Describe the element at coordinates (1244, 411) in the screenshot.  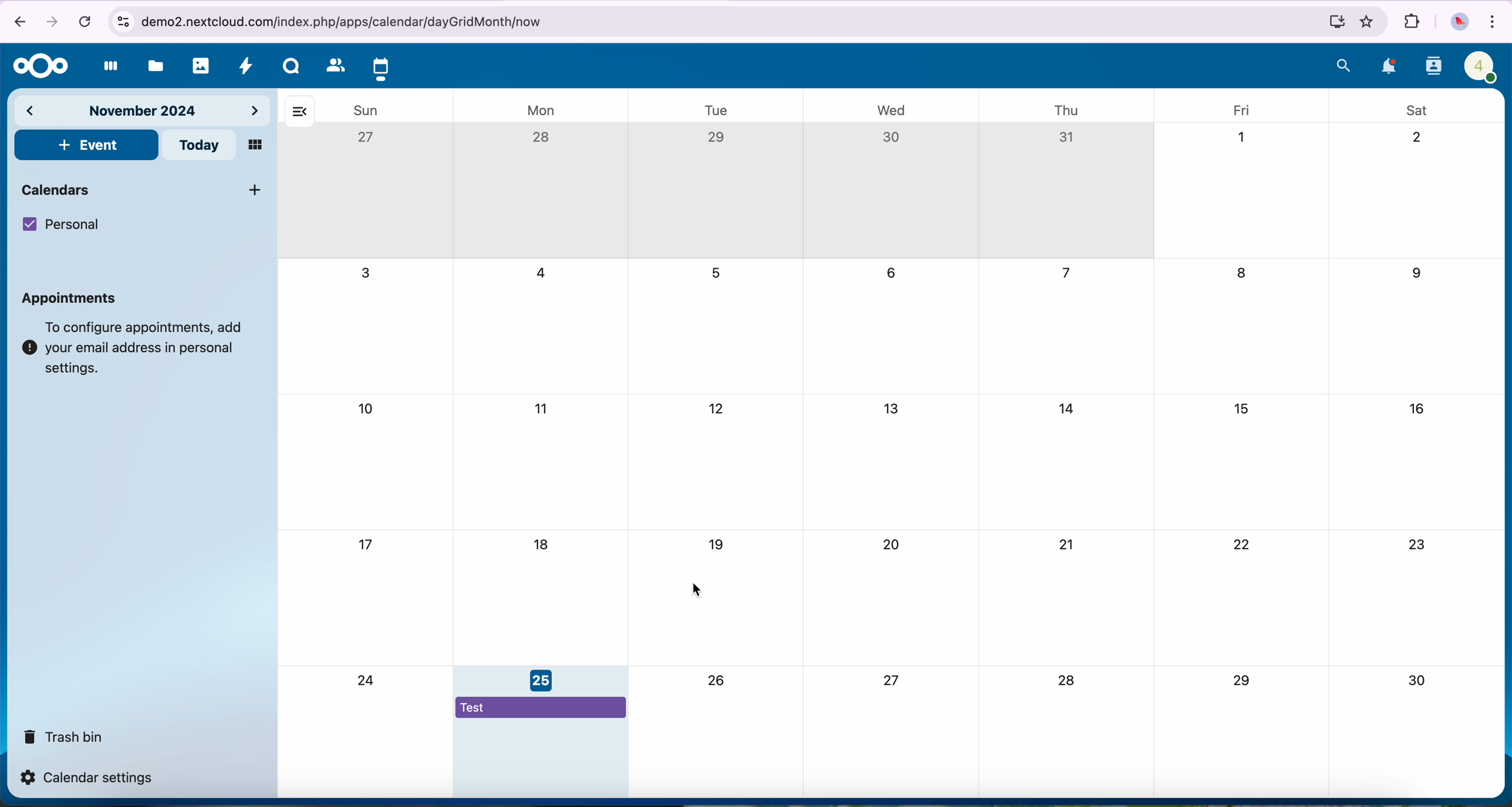
I see `15` at that location.